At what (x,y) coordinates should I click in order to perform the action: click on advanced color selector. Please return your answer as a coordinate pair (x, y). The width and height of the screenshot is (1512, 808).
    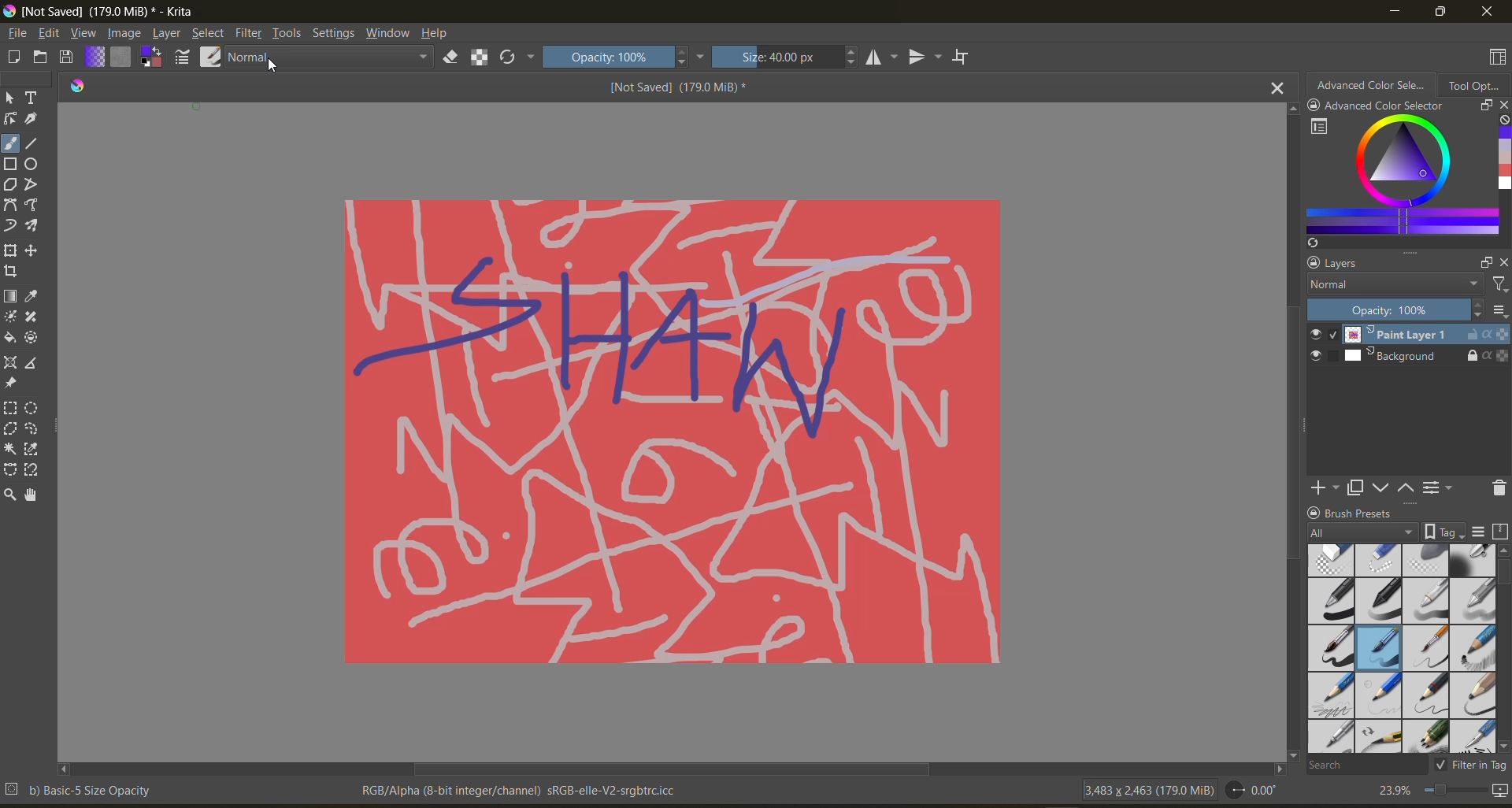
    Looking at the image, I should click on (1395, 183).